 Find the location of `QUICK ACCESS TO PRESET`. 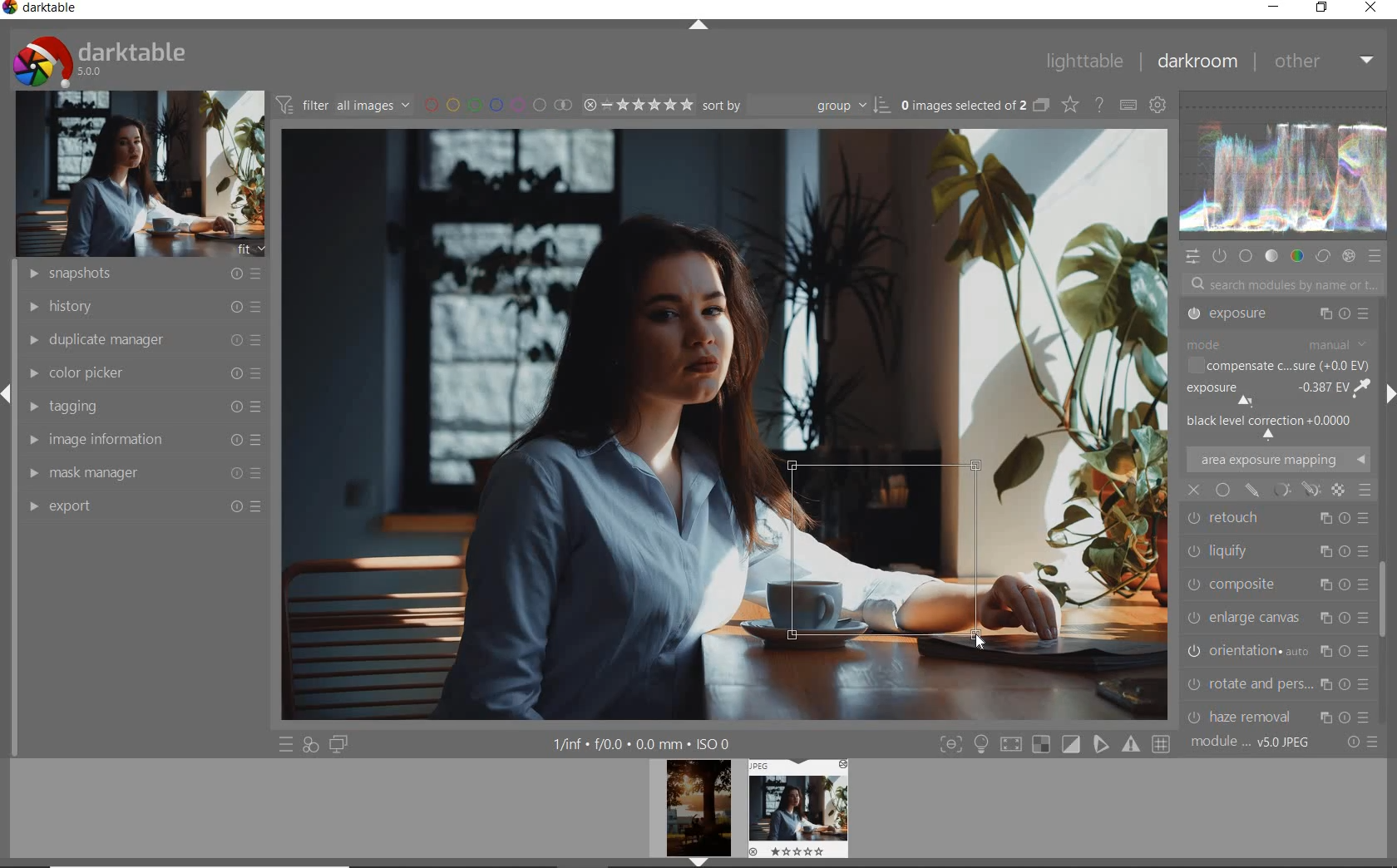

QUICK ACCESS TO PRESET is located at coordinates (285, 743).